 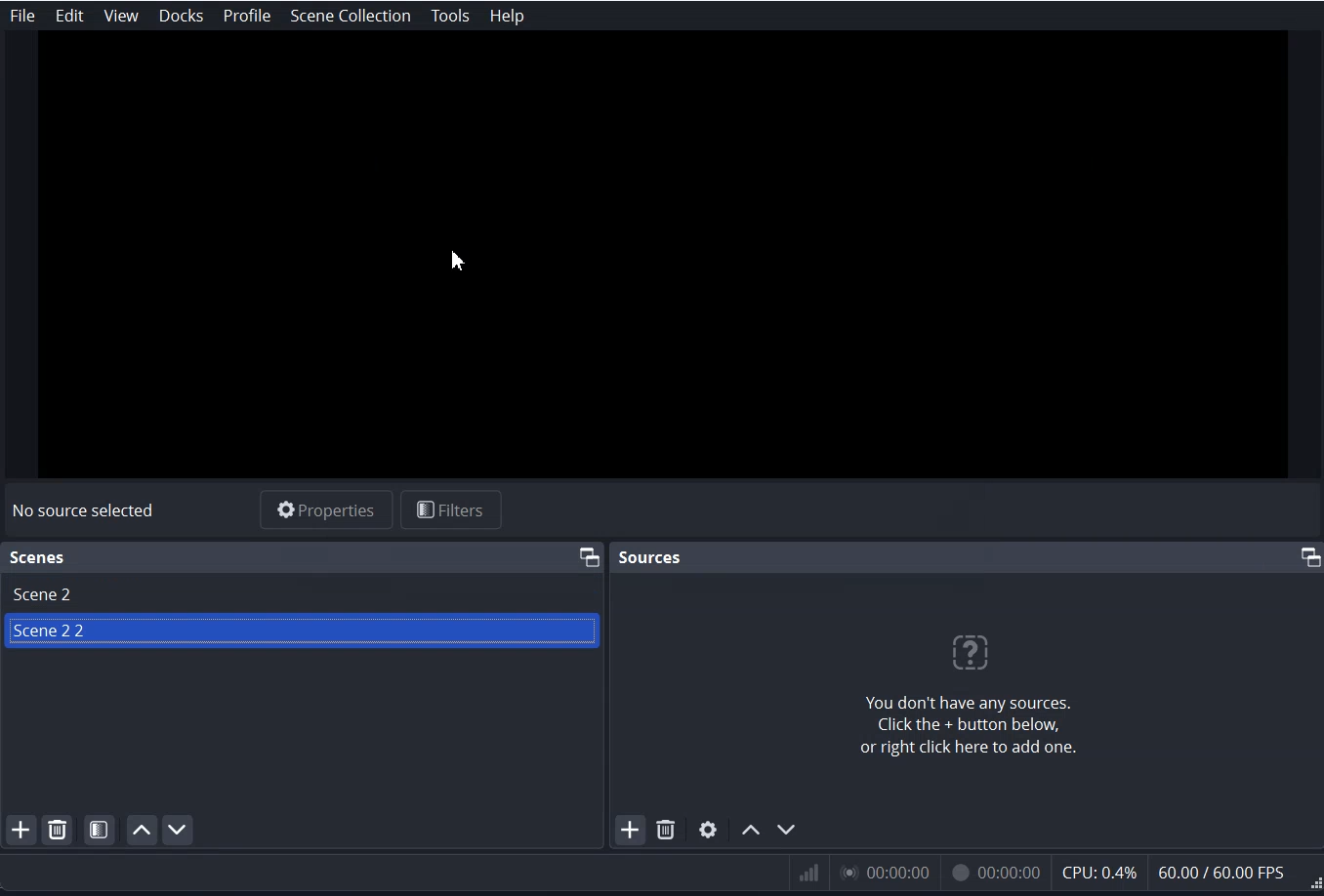 What do you see at coordinates (752, 829) in the screenshot?
I see `Move Source Up` at bounding box center [752, 829].